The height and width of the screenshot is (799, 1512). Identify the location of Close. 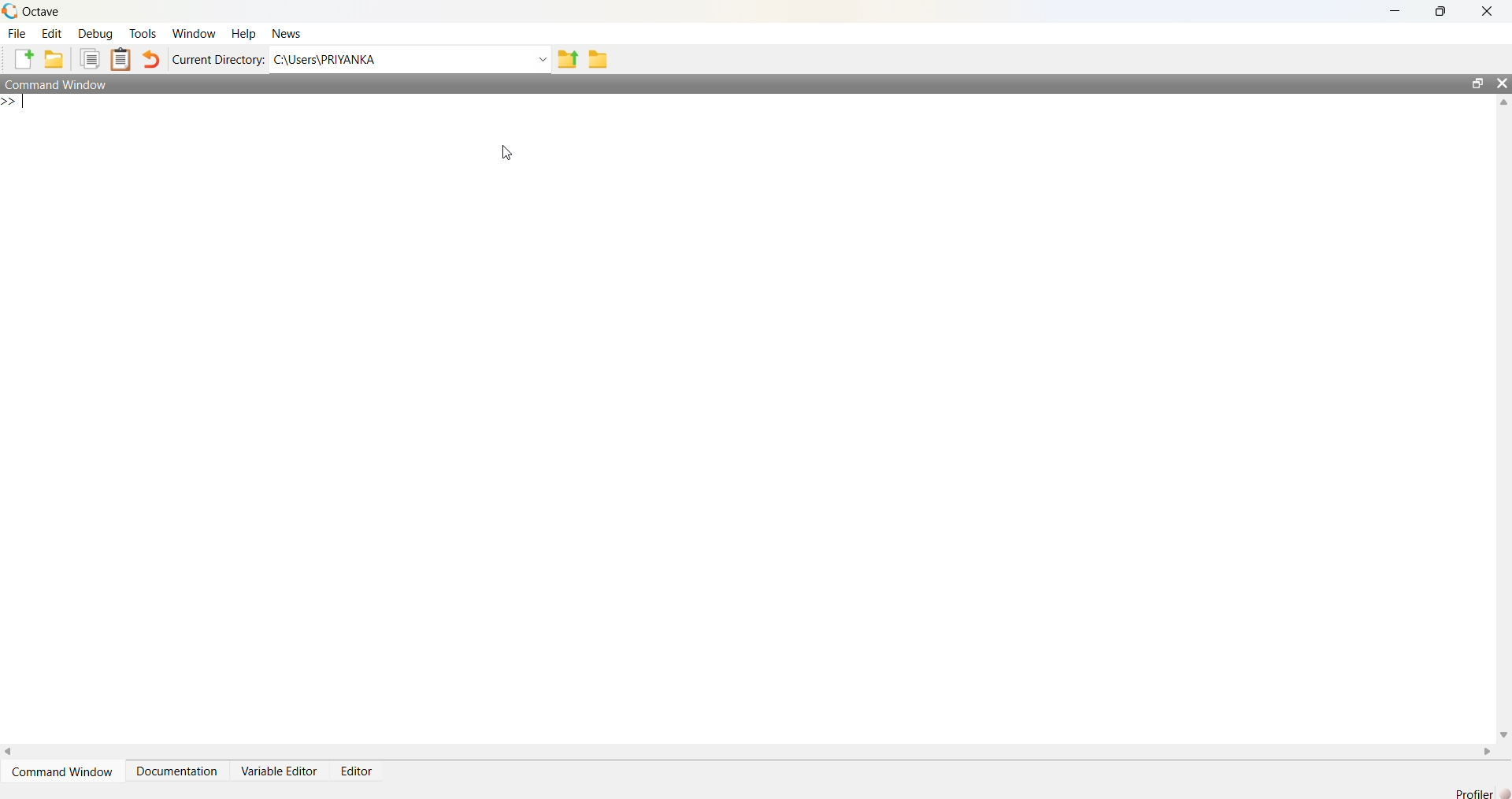
(1488, 13).